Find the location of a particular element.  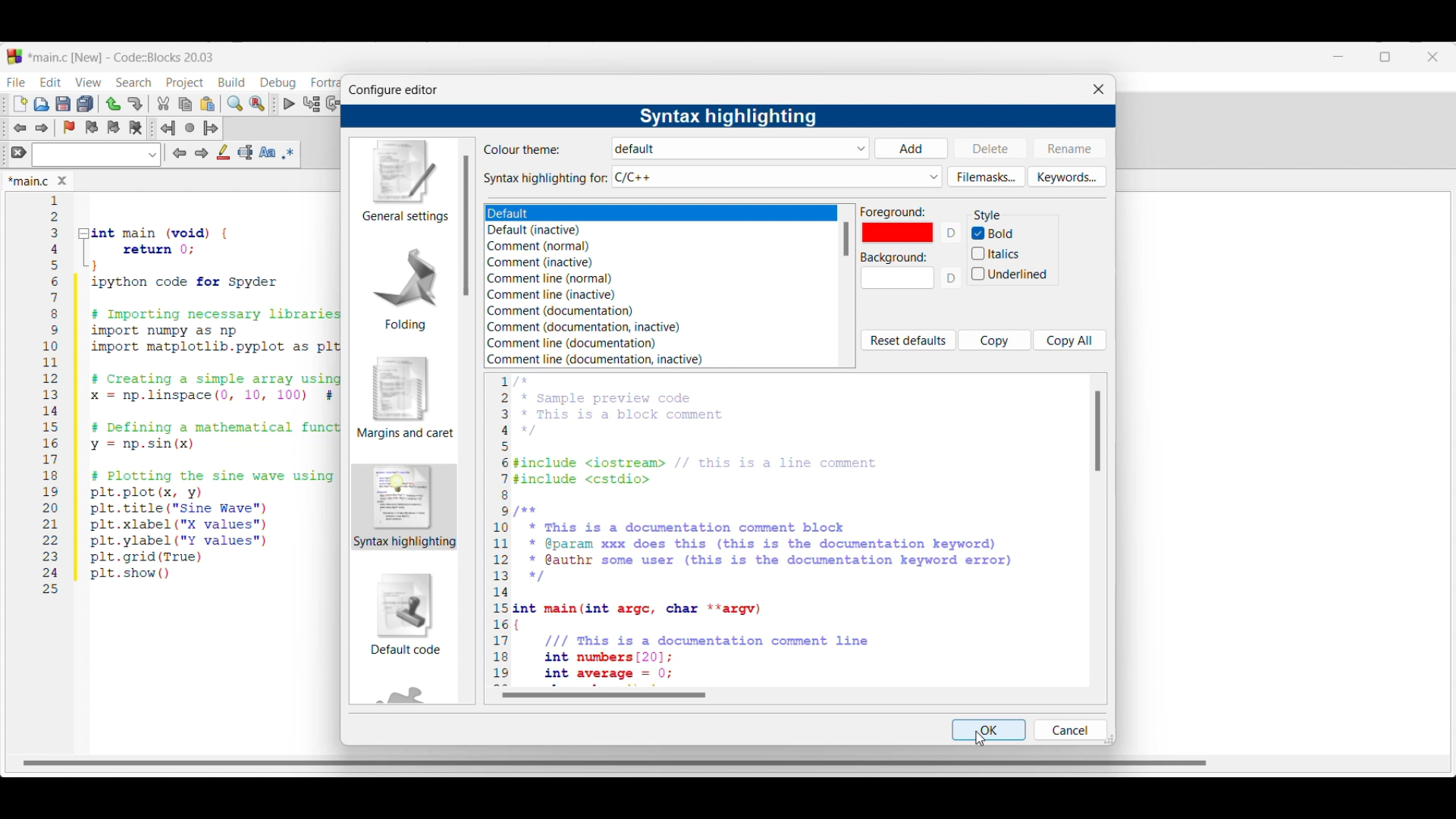

Jump forward is located at coordinates (211, 128).